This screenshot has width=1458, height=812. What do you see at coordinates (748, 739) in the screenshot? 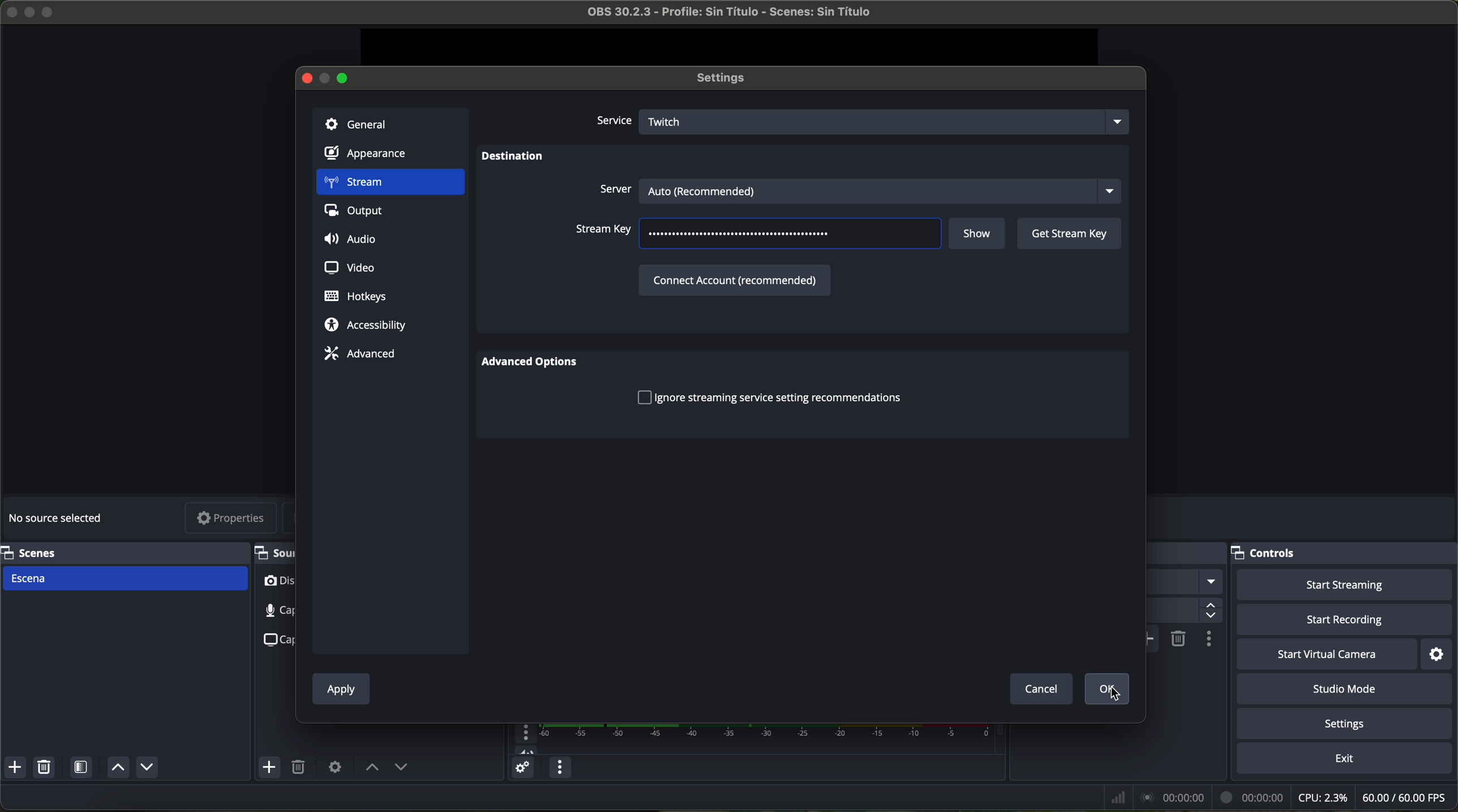
I see `Mic/Aux` at bounding box center [748, 739].